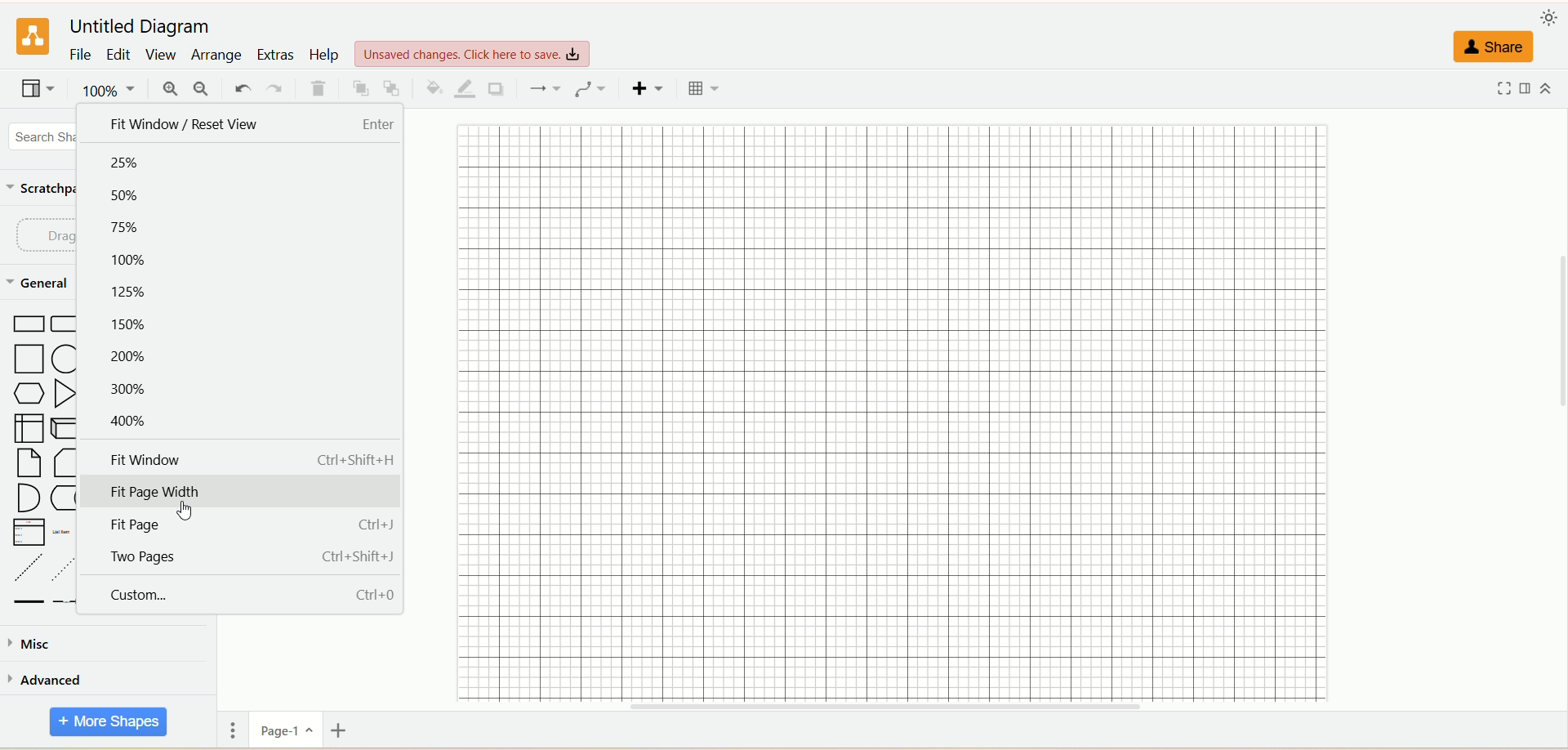 The image size is (1568, 750). I want to click on delete, so click(319, 90).